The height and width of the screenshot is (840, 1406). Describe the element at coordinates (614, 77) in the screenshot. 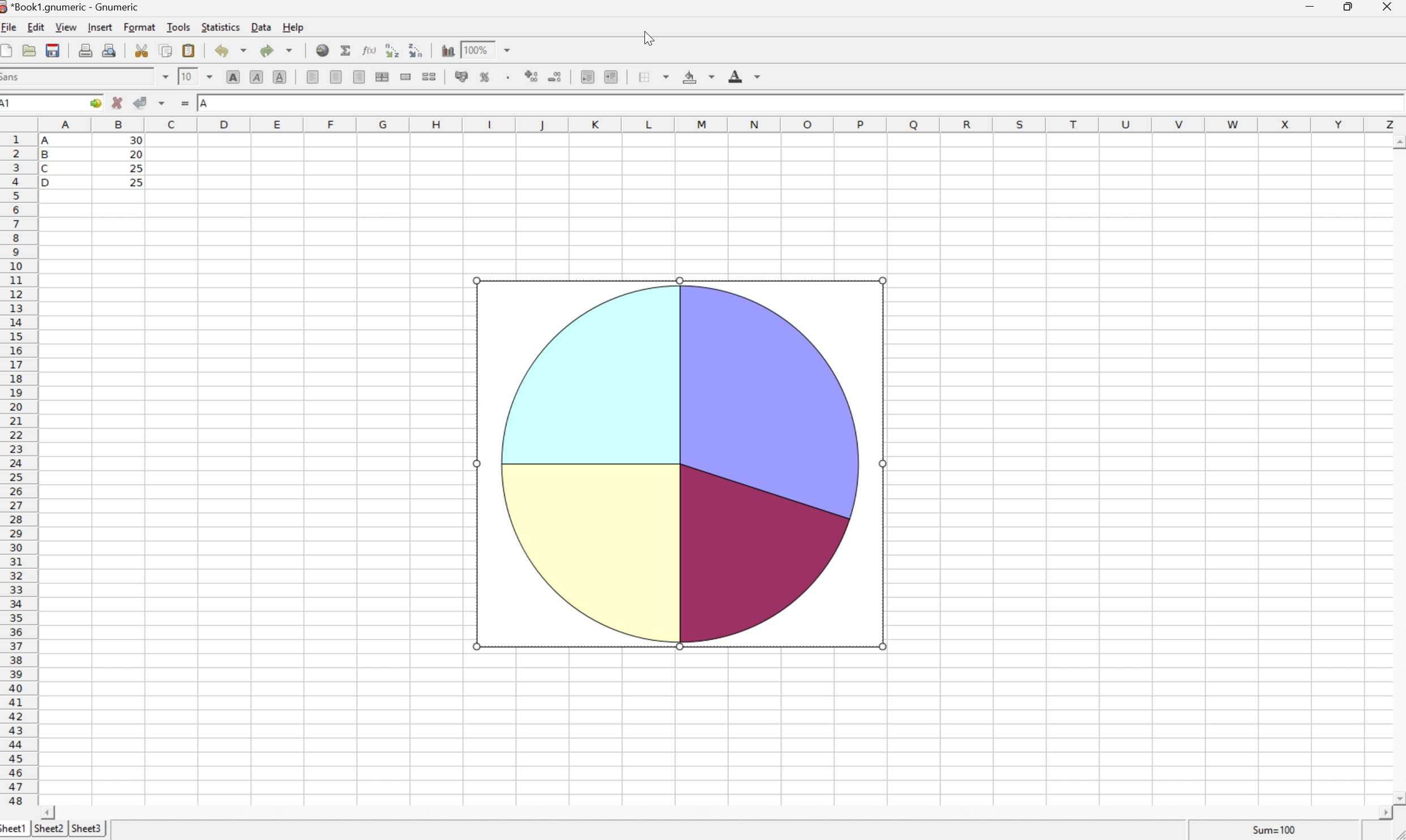

I see `Increase indent, and align the contents to the left` at that location.